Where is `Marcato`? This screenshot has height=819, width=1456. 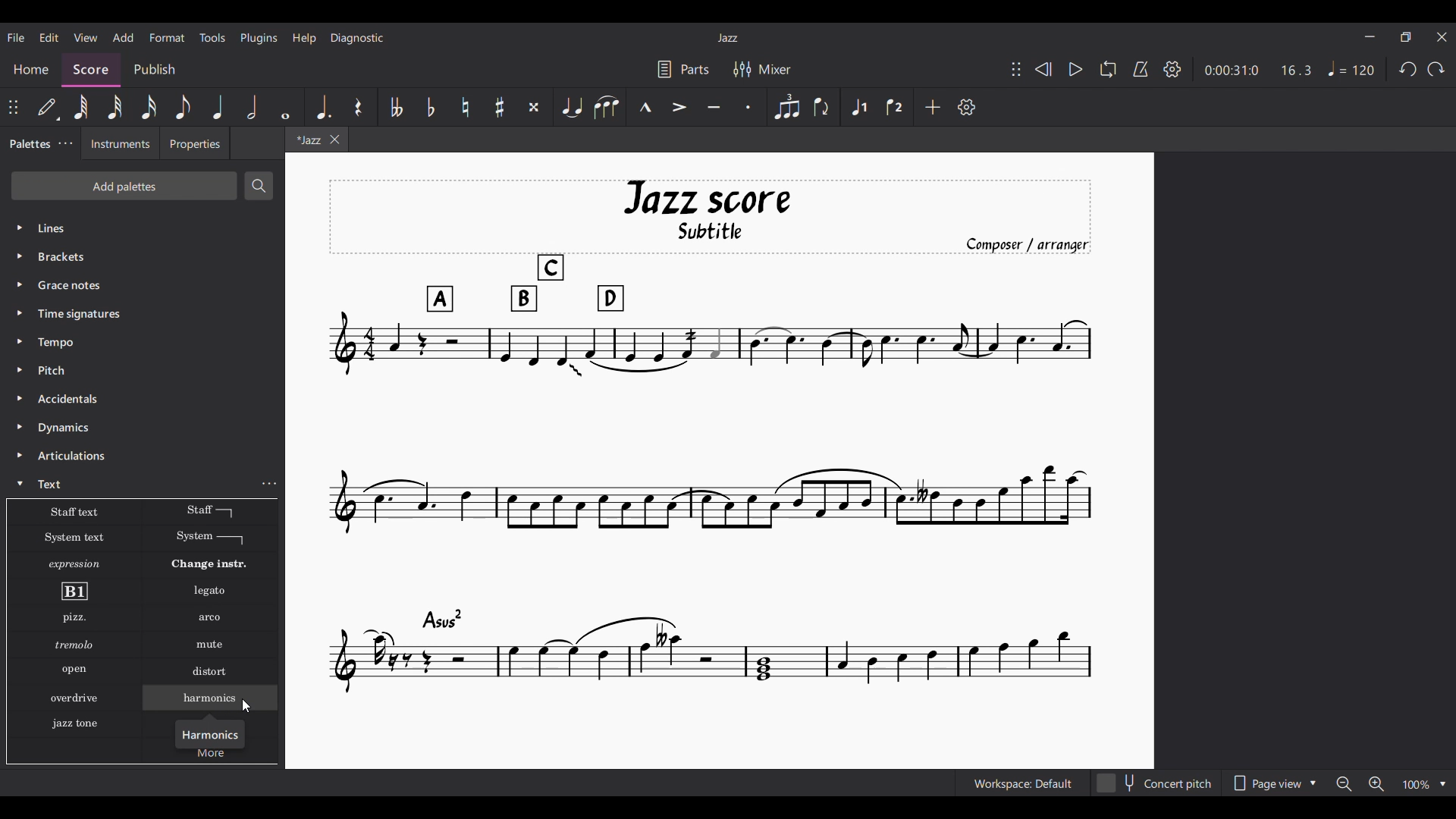 Marcato is located at coordinates (646, 106).